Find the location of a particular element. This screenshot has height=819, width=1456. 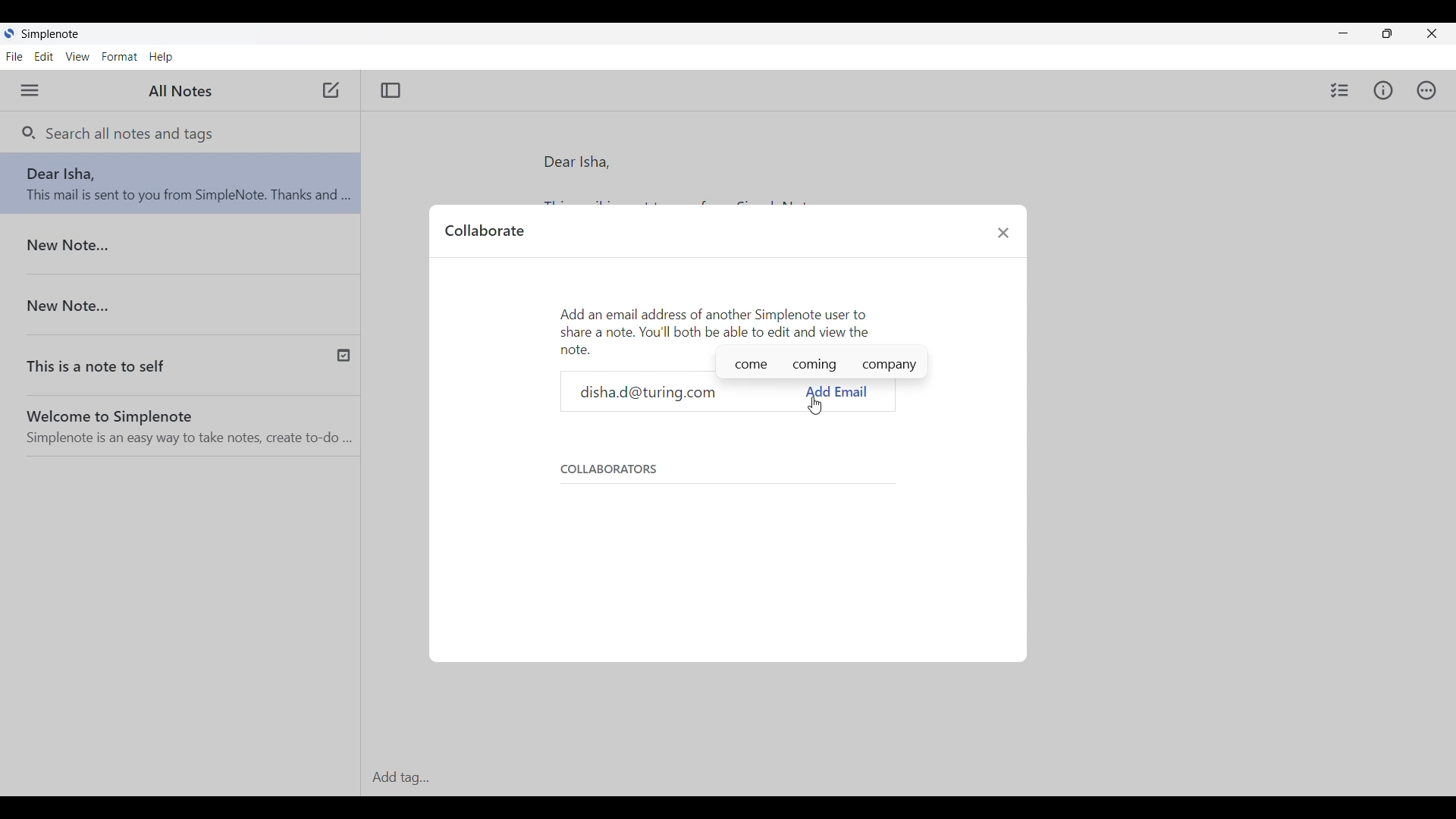

Add tag is located at coordinates (905, 778).